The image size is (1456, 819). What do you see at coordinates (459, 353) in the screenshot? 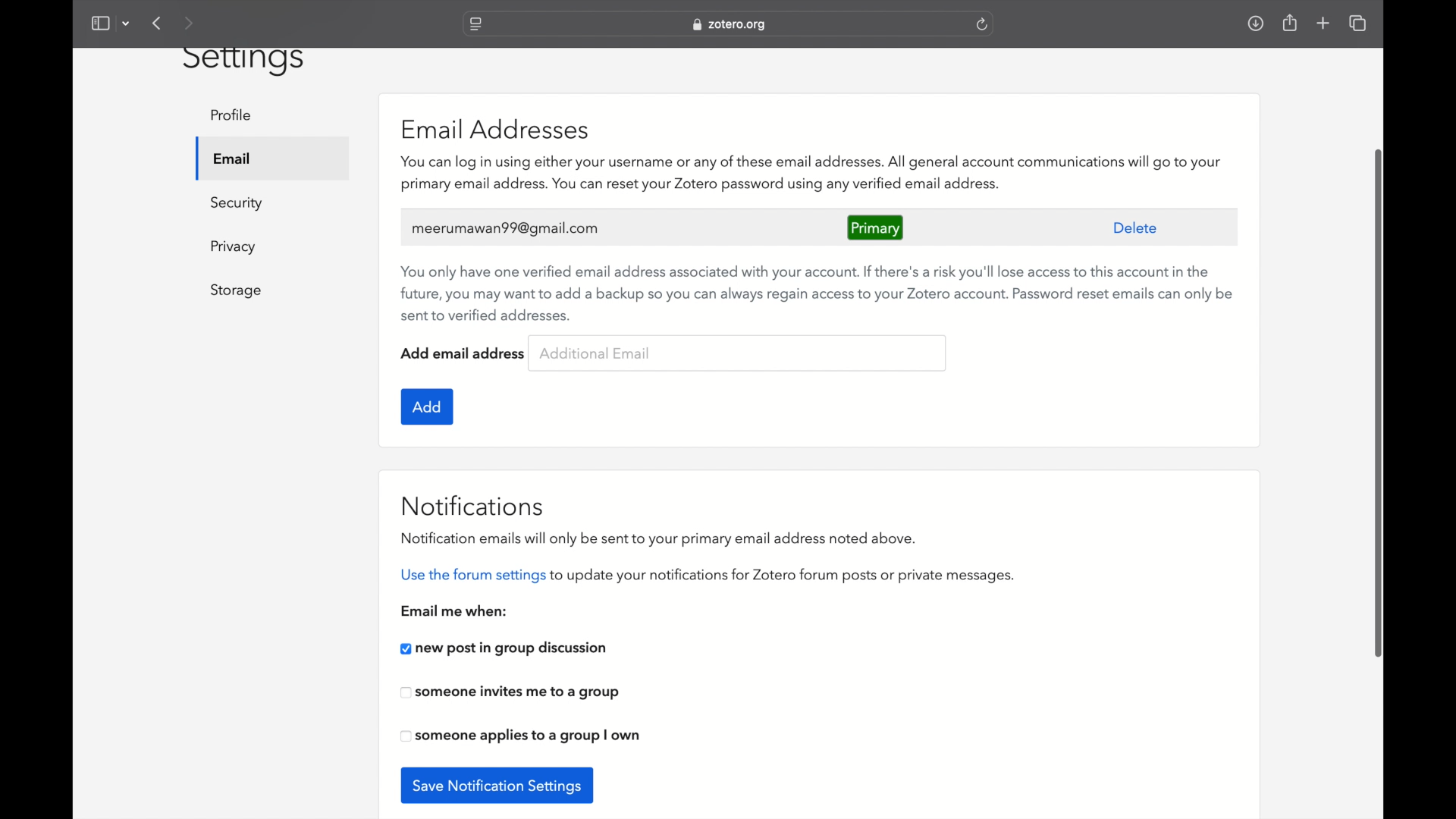
I see `add email address` at bounding box center [459, 353].